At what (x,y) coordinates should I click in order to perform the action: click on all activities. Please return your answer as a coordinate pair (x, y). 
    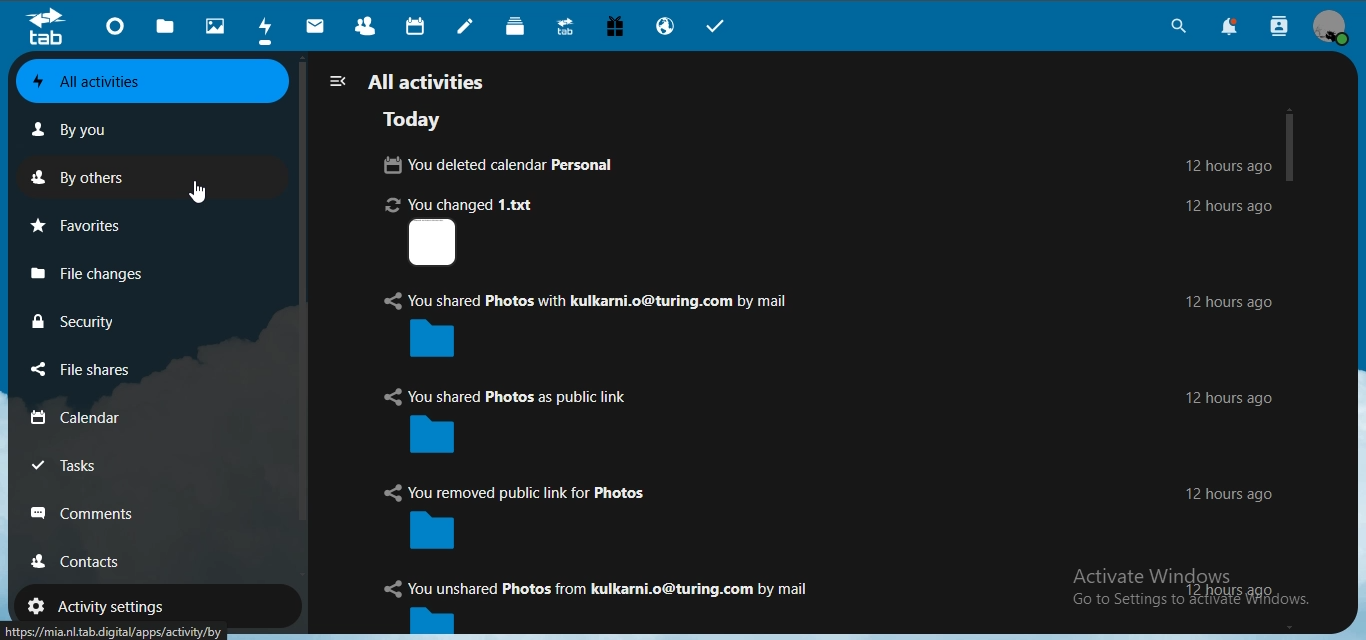
    Looking at the image, I should click on (122, 81).